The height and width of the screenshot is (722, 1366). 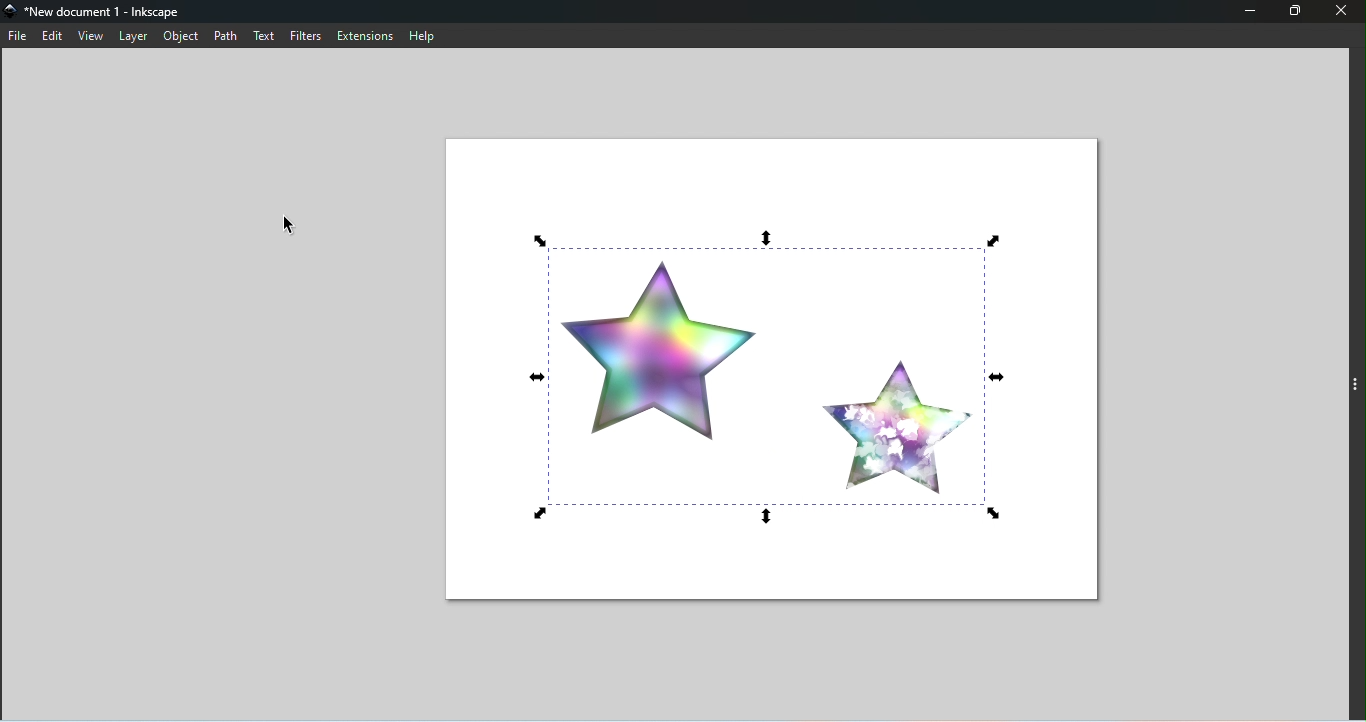 I want to click on Path, so click(x=230, y=36).